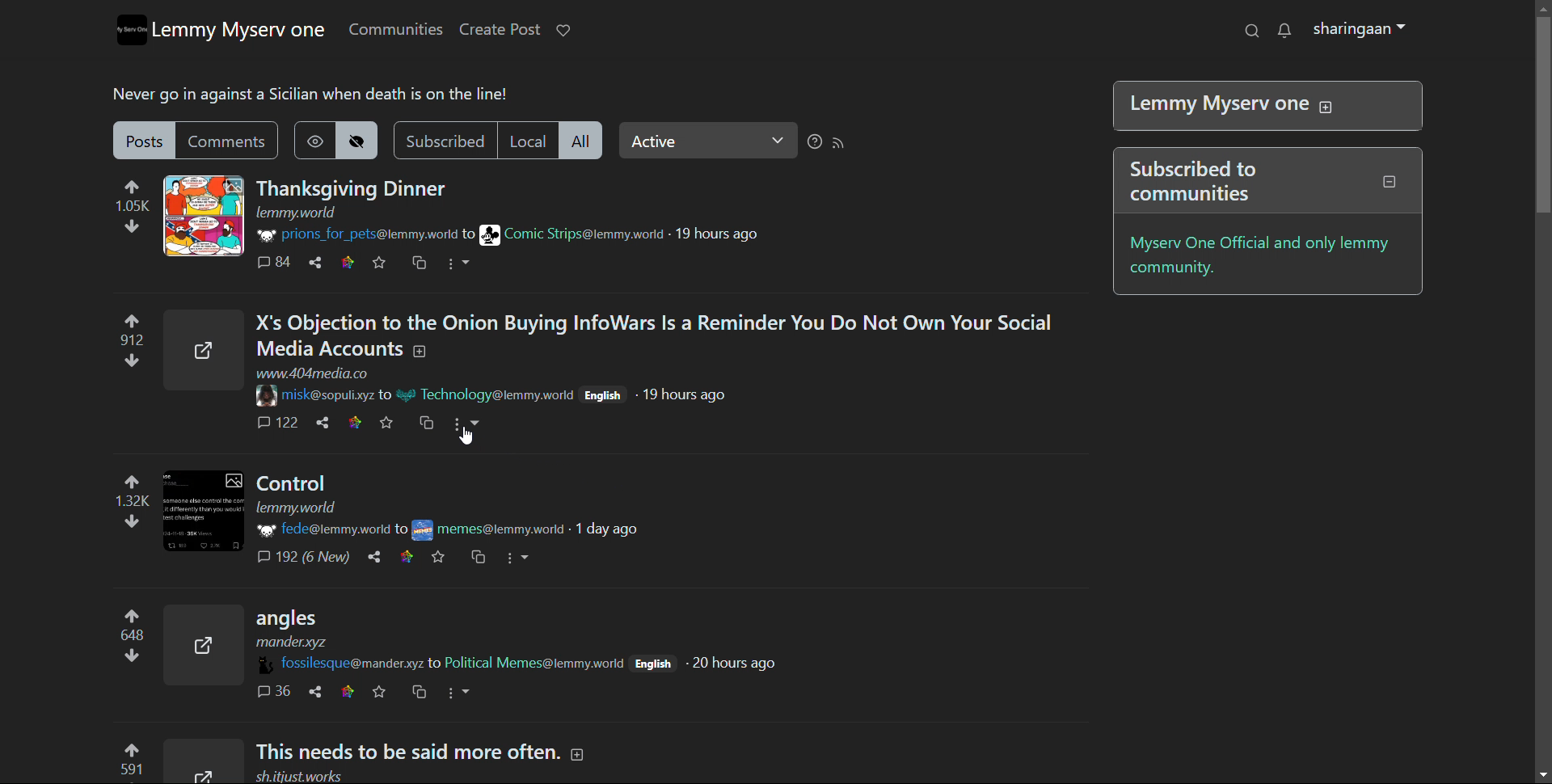 The image size is (1552, 784). Describe the element at coordinates (204, 512) in the screenshot. I see `Expand here with this image` at that location.